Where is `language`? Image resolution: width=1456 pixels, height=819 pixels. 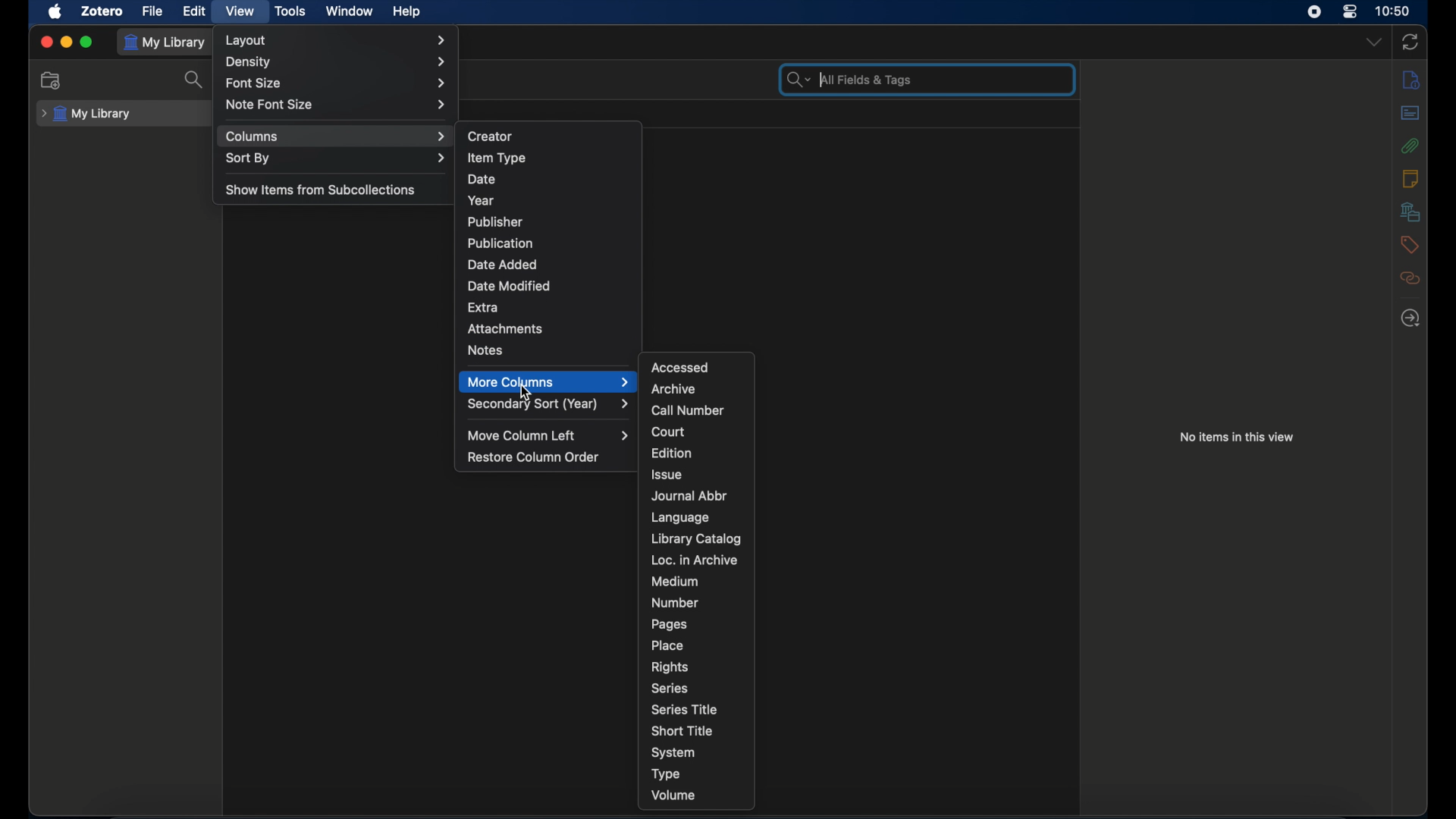 language is located at coordinates (682, 516).